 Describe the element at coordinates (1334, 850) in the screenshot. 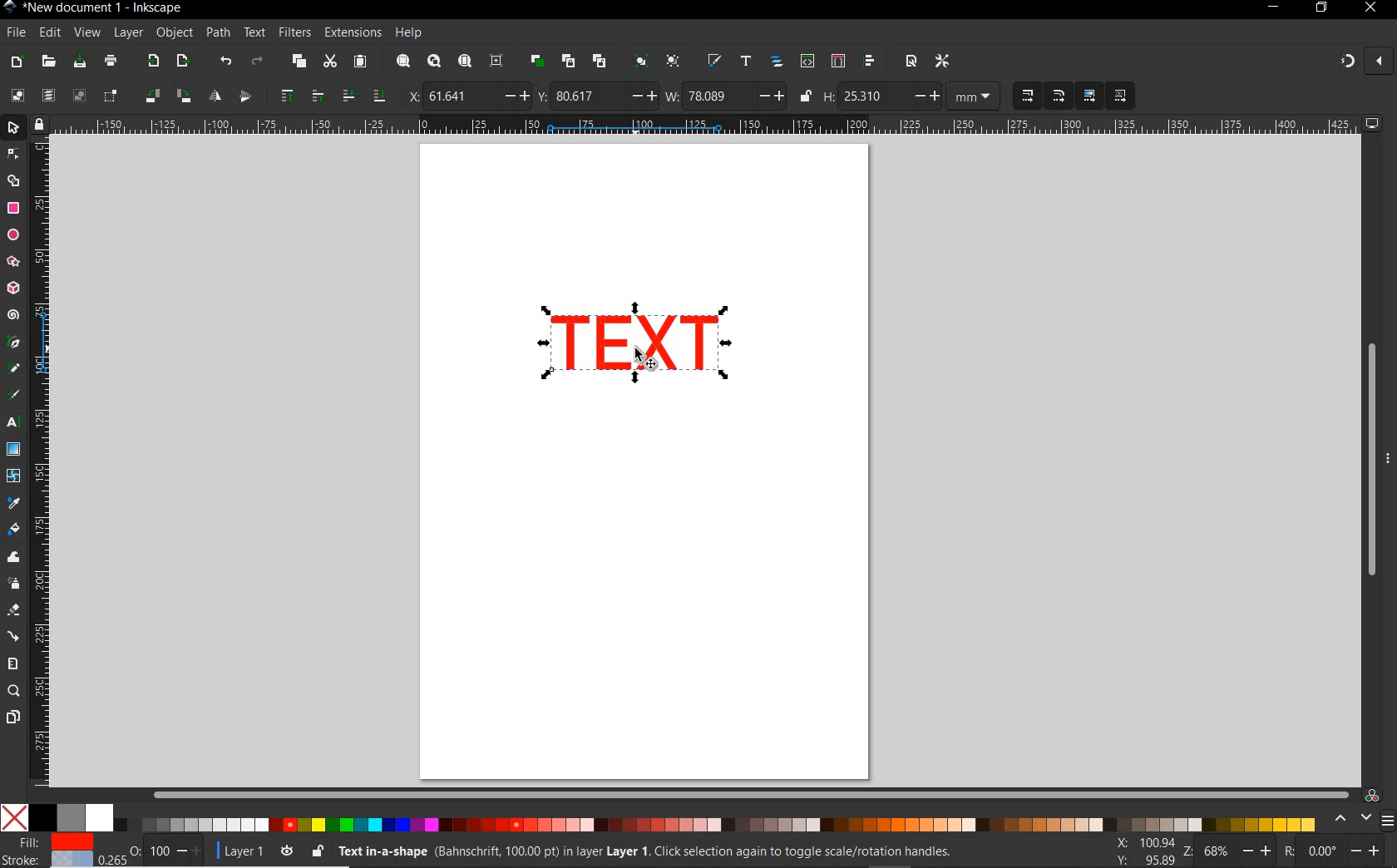

I see `rotation` at that location.